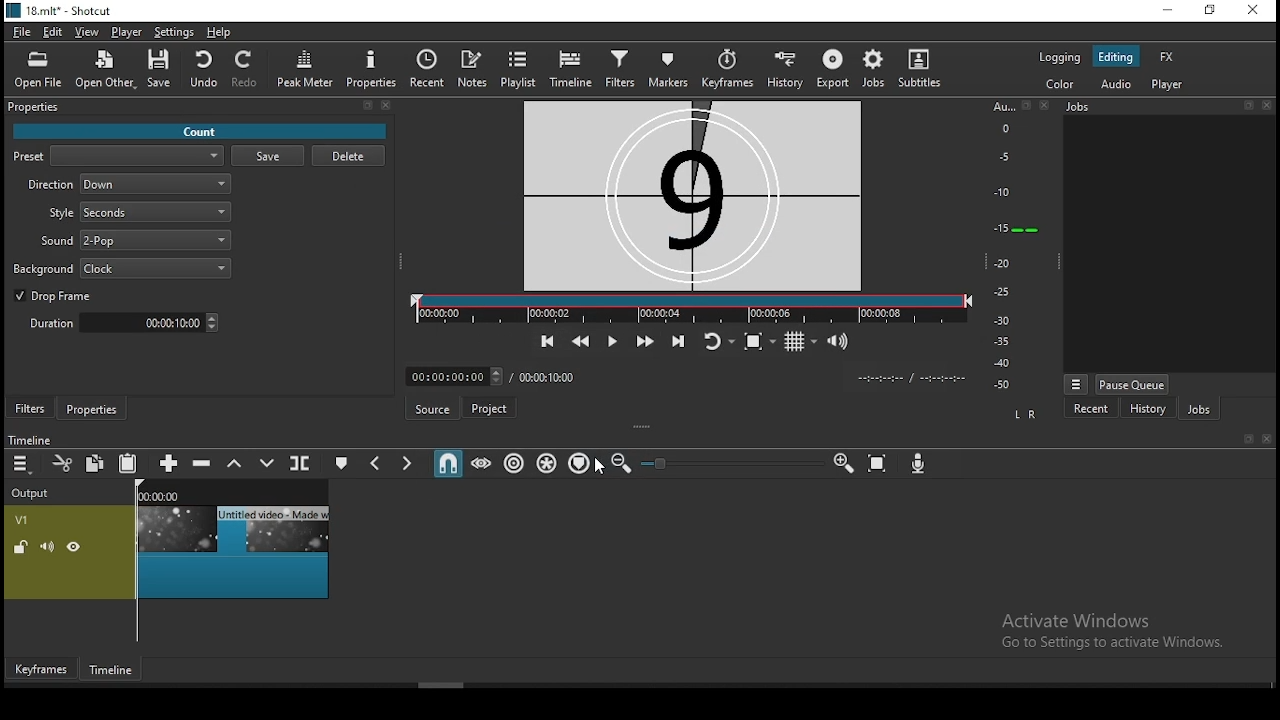  What do you see at coordinates (125, 31) in the screenshot?
I see `player` at bounding box center [125, 31].